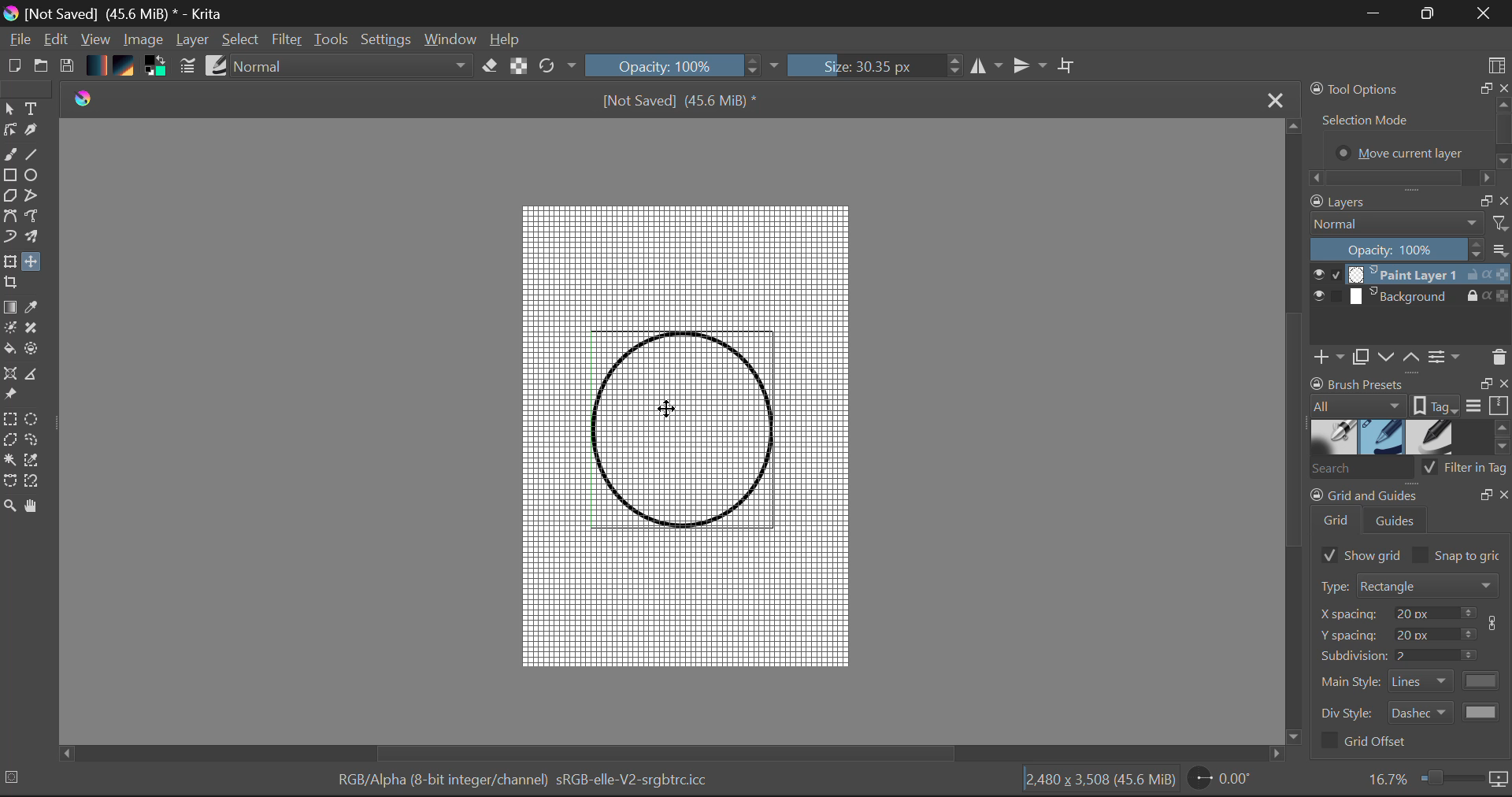  I want to click on Help, so click(509, 39).